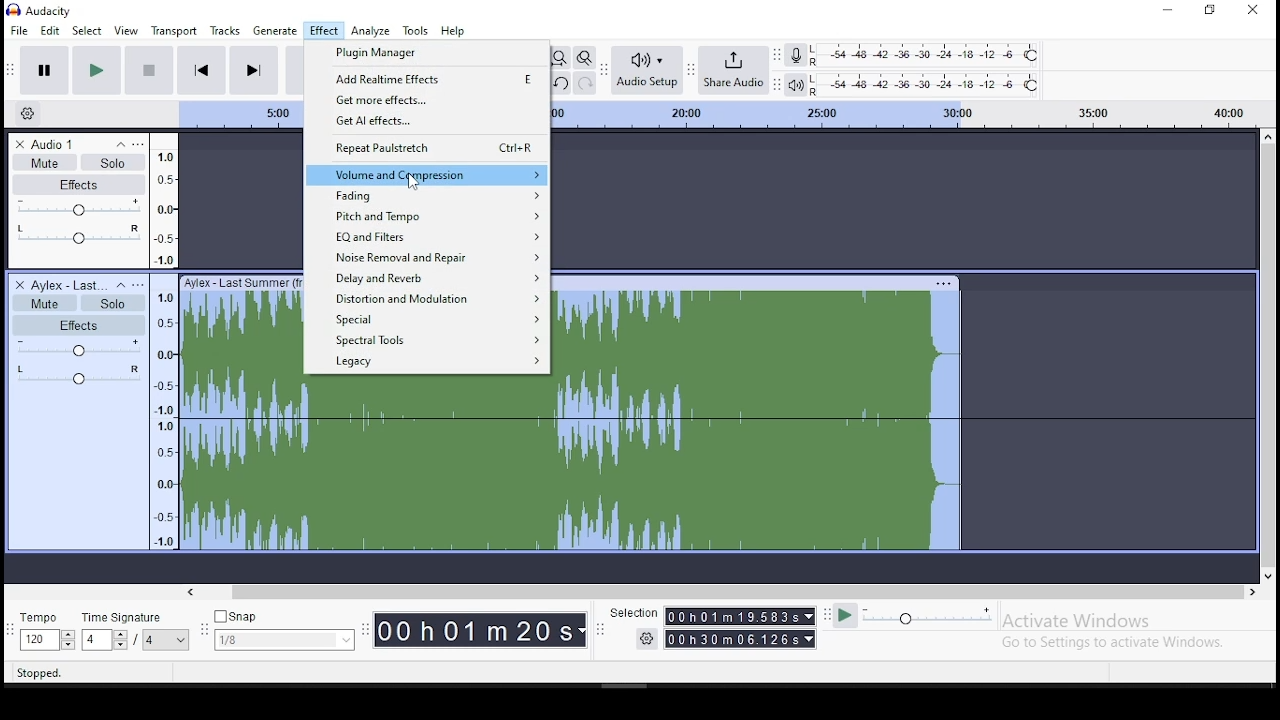 The height and width of the screenshot is (720, 1280). What do you see at coordinates (226, 30) in the screenshot?
I see `tracks` at bounding box center [226, 30].